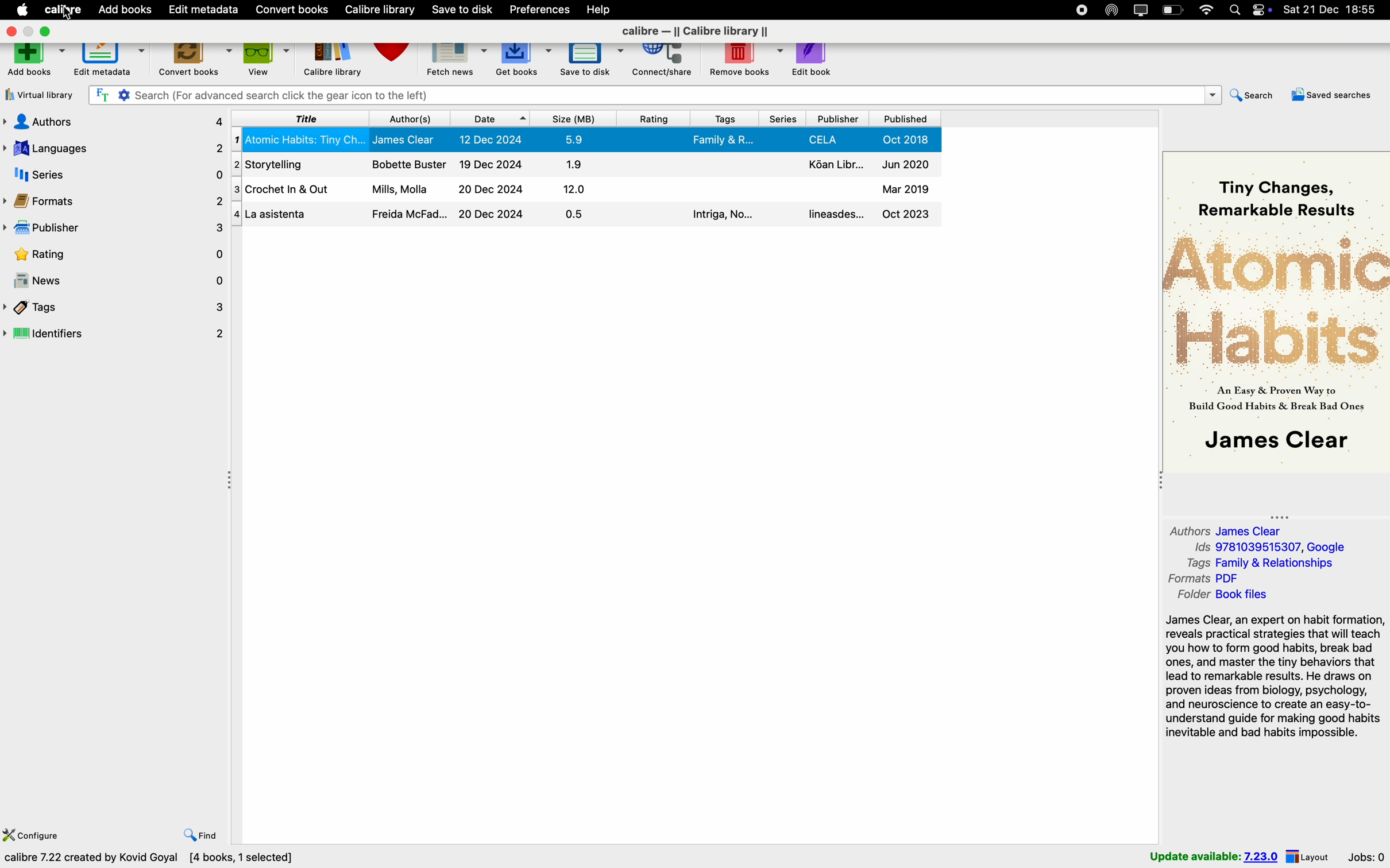 This screenshot has width=1390, height=868. Describe the element at coordinates (1250, 97) in the screenshot. I see `search` at that location.